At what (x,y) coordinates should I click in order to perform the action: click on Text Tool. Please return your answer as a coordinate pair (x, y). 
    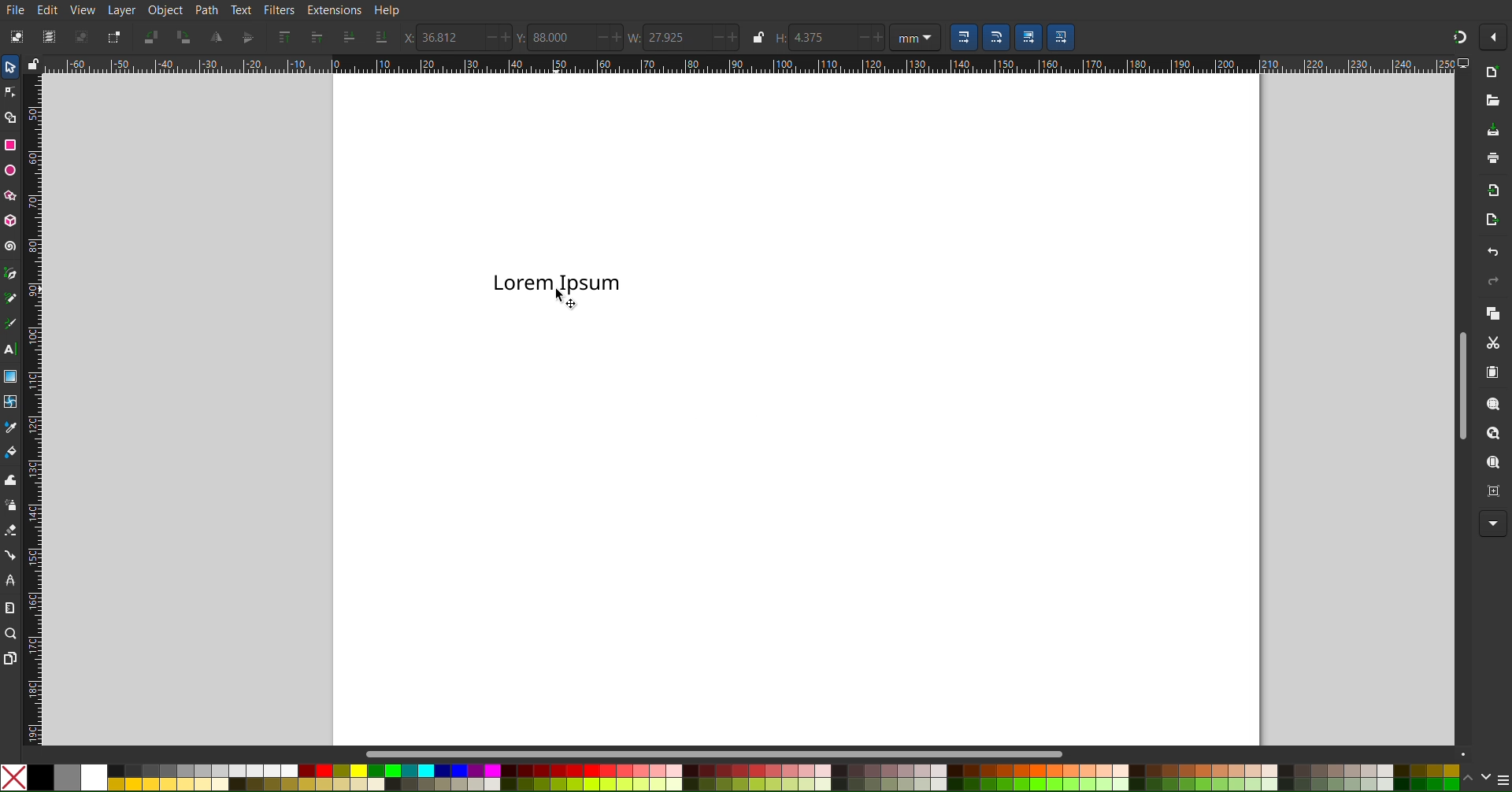
    Looking at the image, I should click on (10, 350).